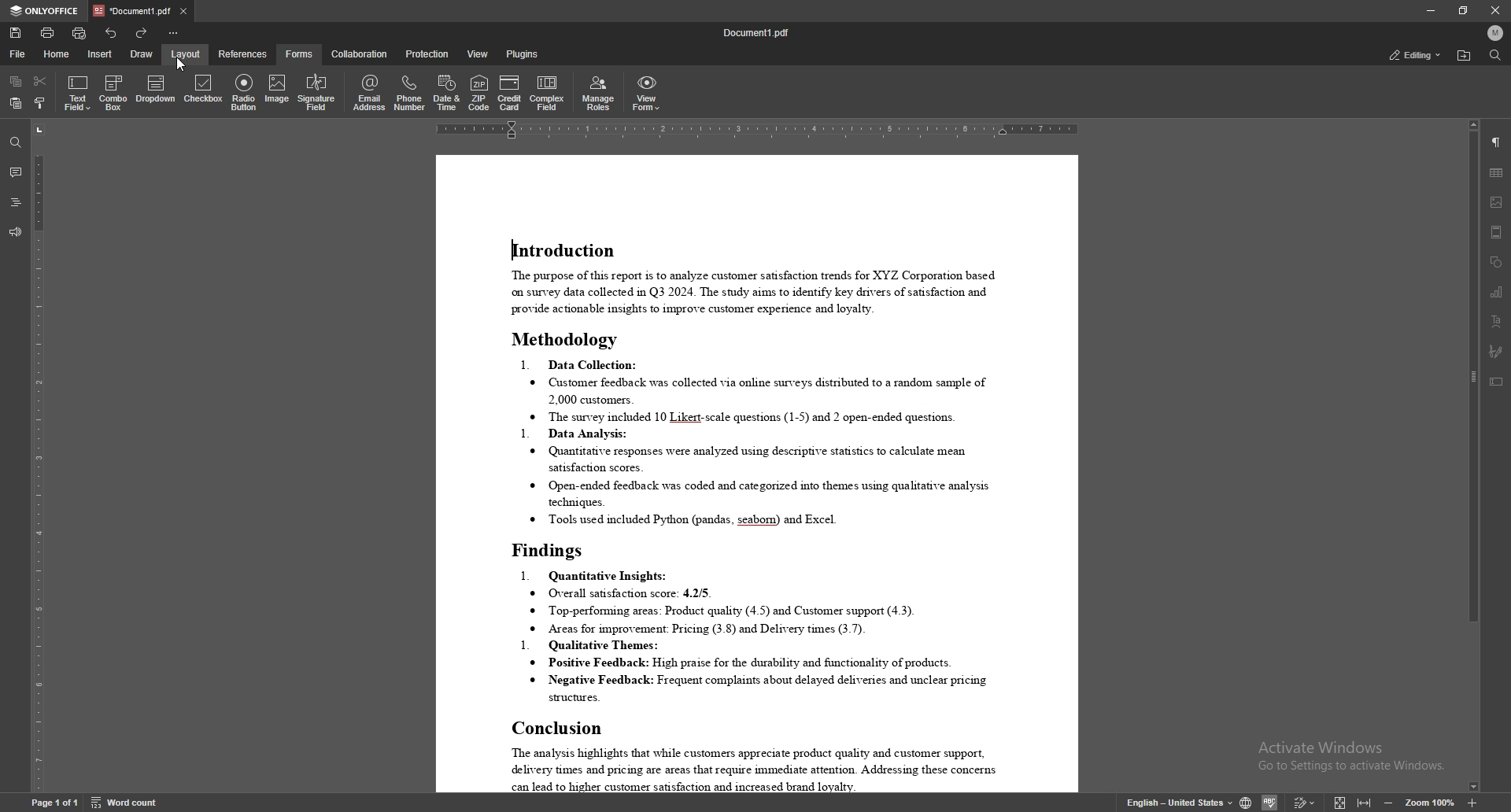  What do you see at coordinates (158, 92) in the screenshot?
I see `dropdown` at bounding box center [158, 92].